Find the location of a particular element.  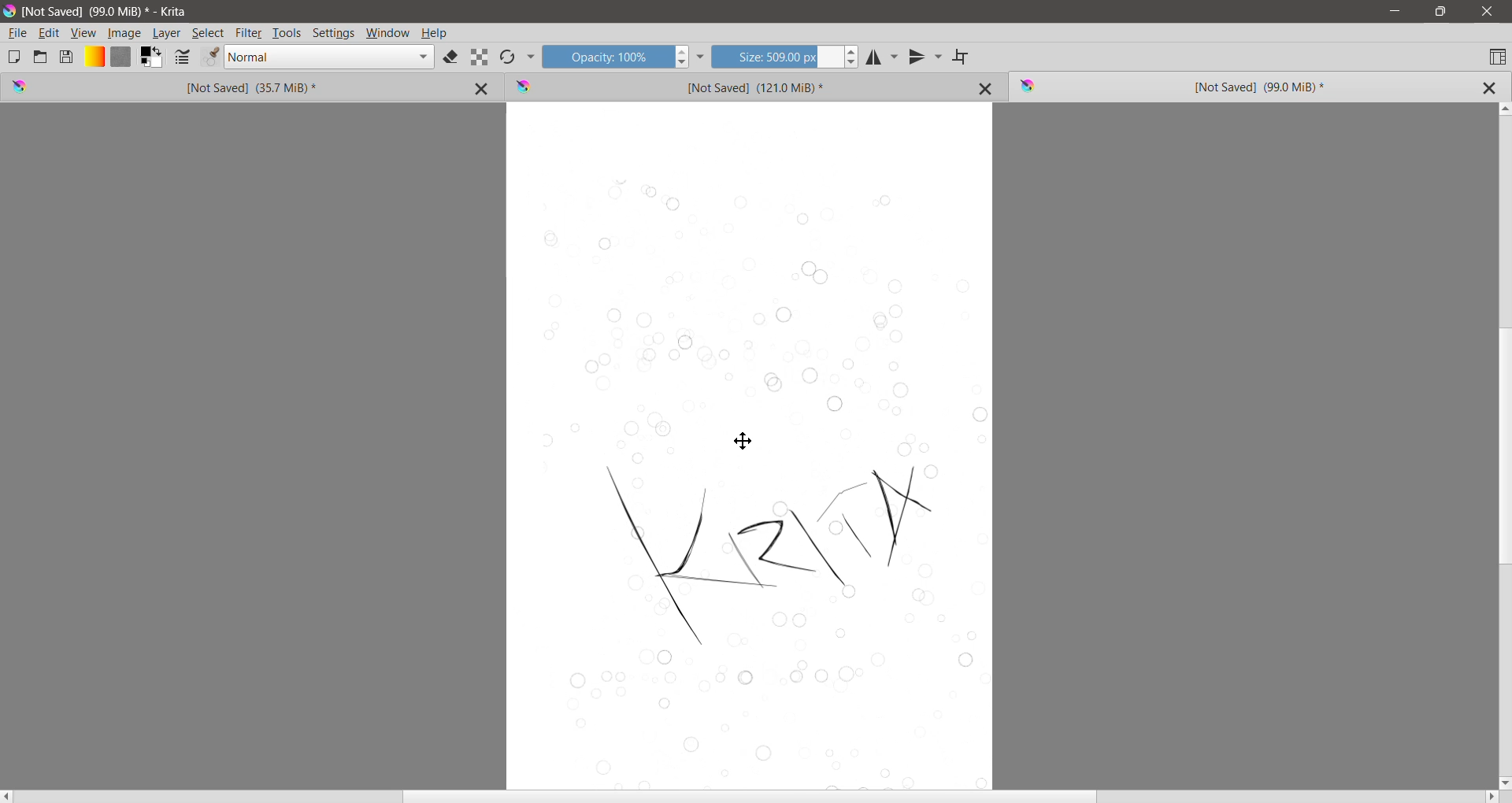

Opacity input is located at coordinates (606, 56).